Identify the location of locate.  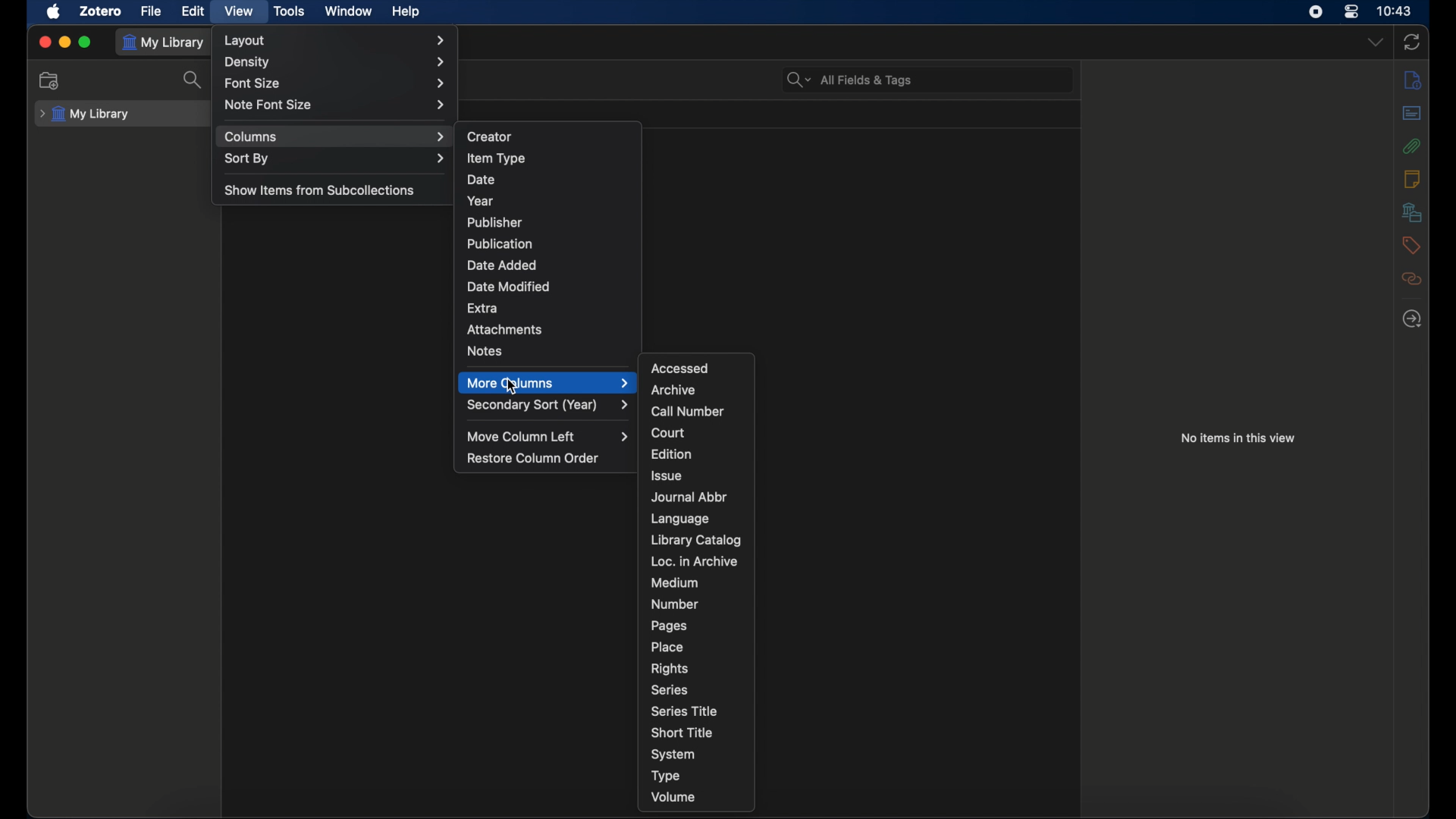
(1412, 319).